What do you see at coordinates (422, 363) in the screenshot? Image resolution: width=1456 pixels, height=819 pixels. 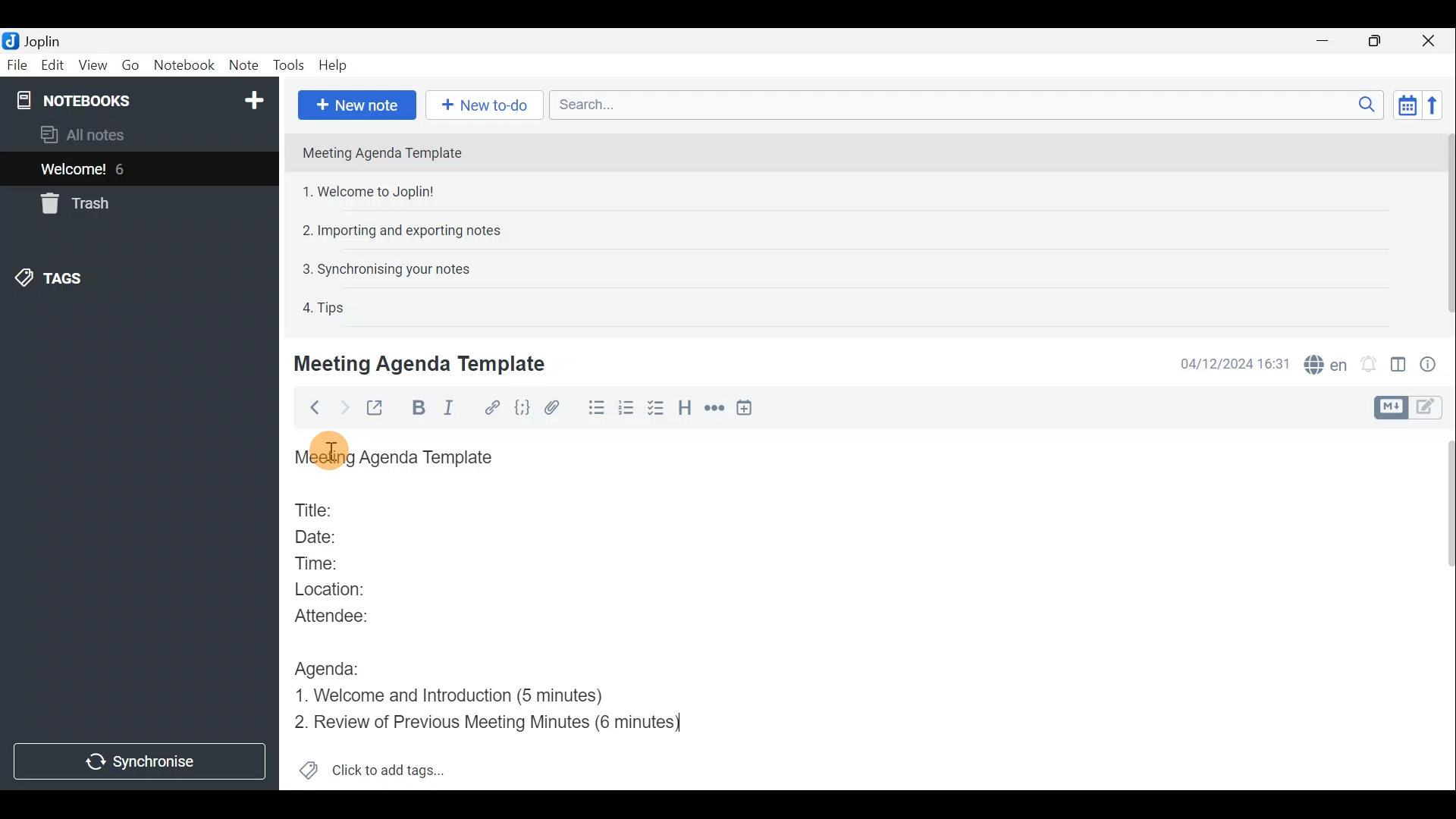 I see `Meeting Agenda Template` at bounding box center [422, 363].